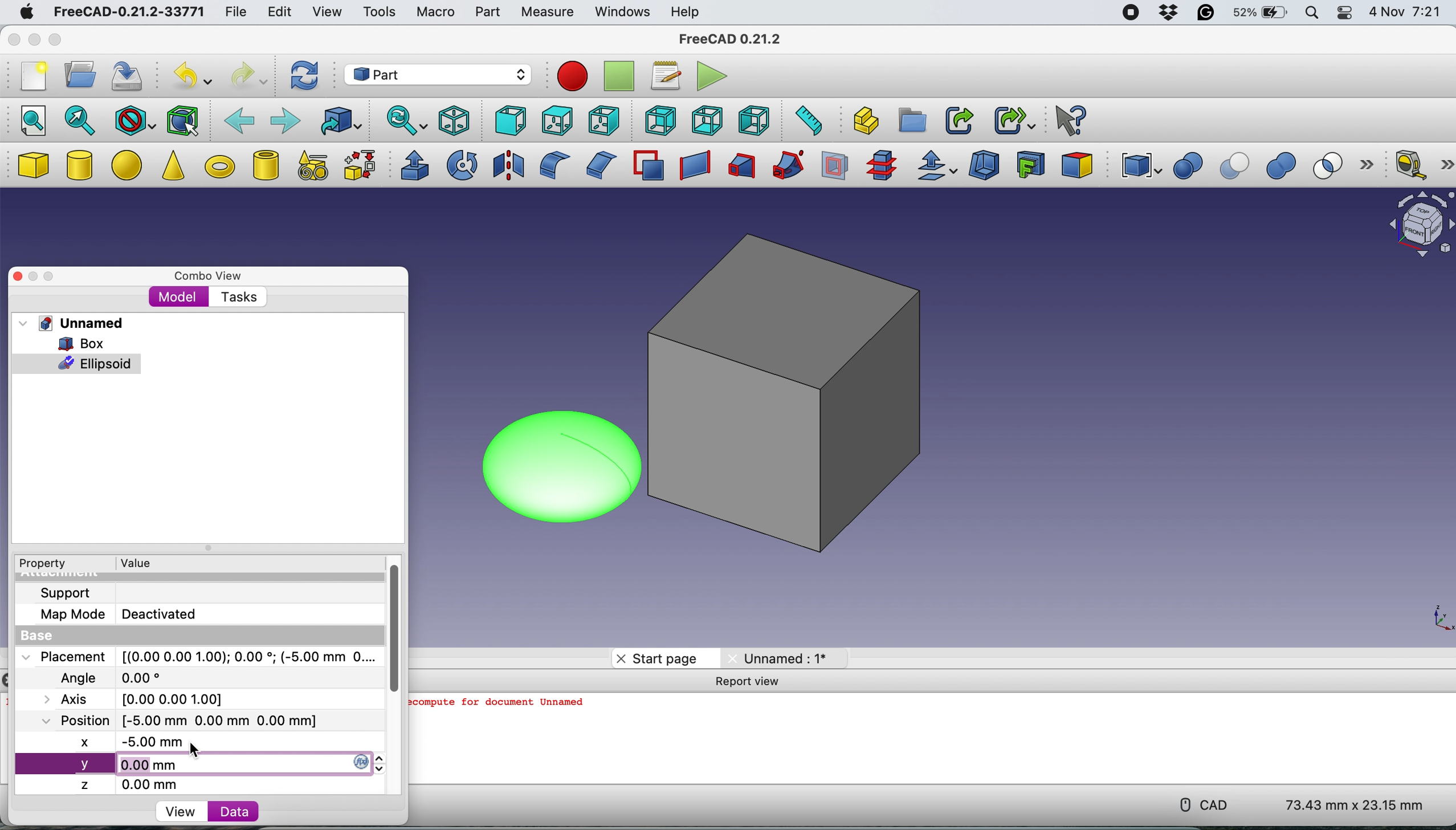 This screenshot has width=1456, height=830. I want to click on extrude, so click(411, 165).